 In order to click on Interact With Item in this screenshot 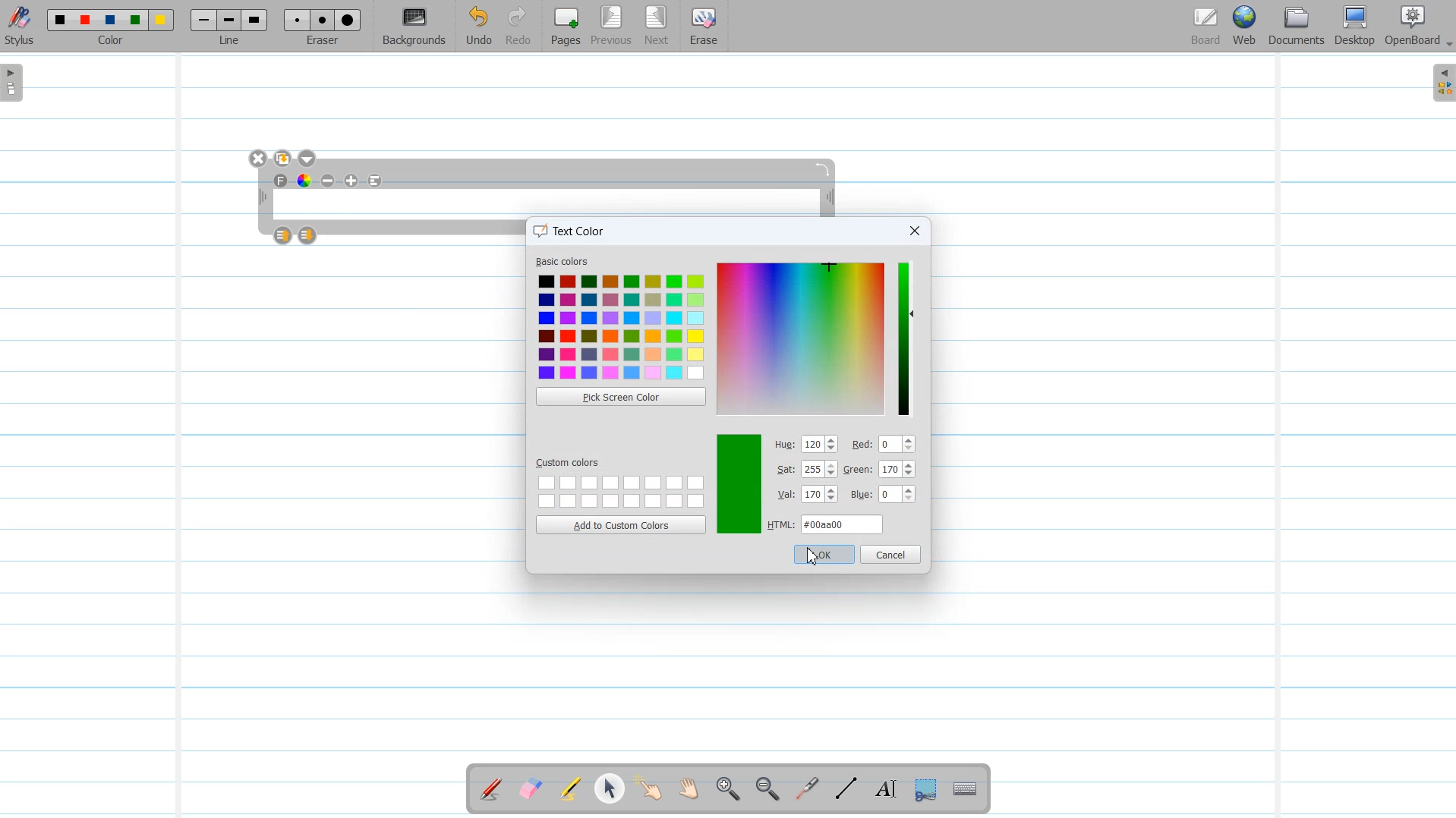, I will do `click(649, 790)`.